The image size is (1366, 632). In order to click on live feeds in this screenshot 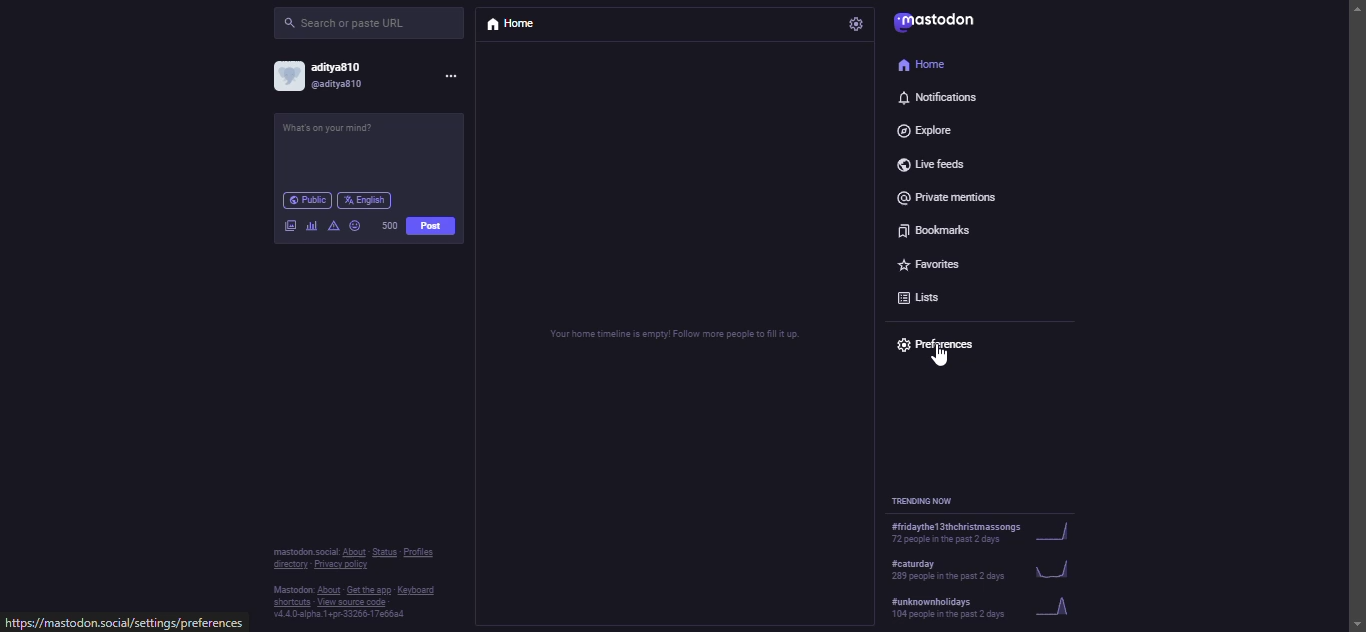, I will do `click(926, 162)`.